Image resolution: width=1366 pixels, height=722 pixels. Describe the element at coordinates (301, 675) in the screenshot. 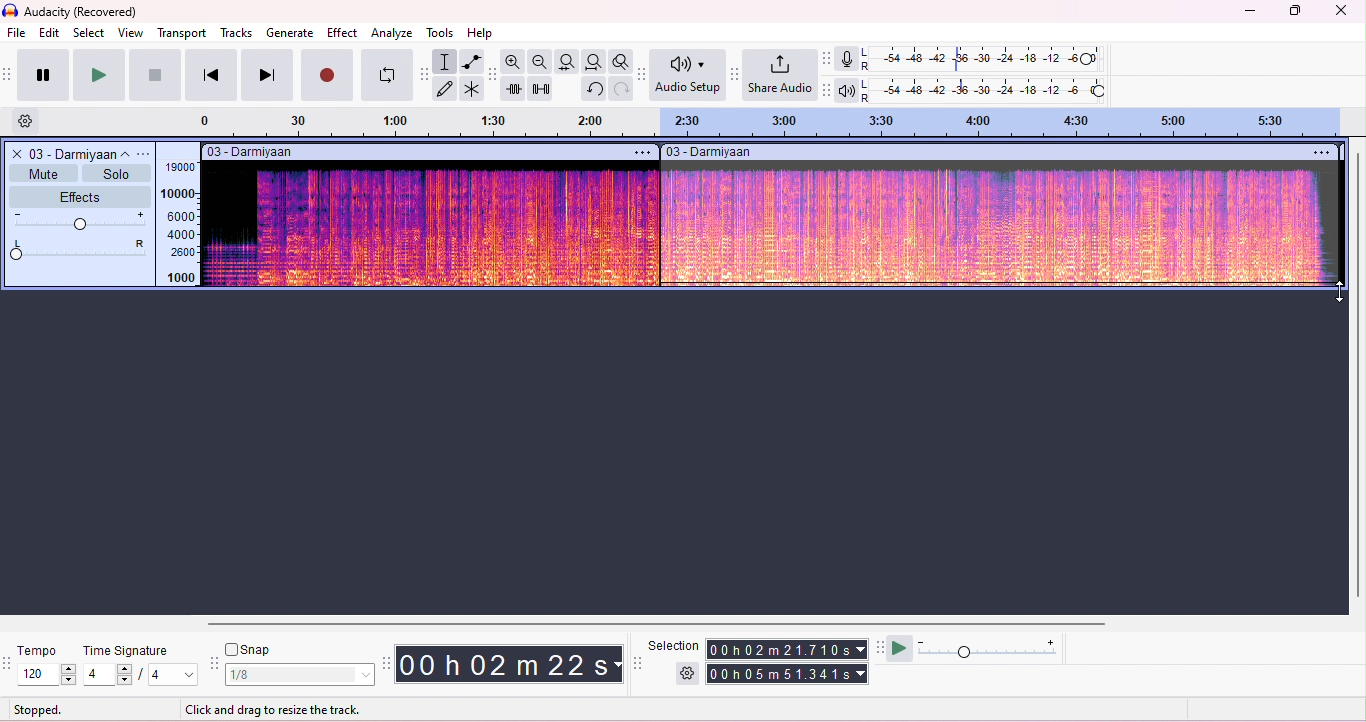

I see `select snap` at that location.